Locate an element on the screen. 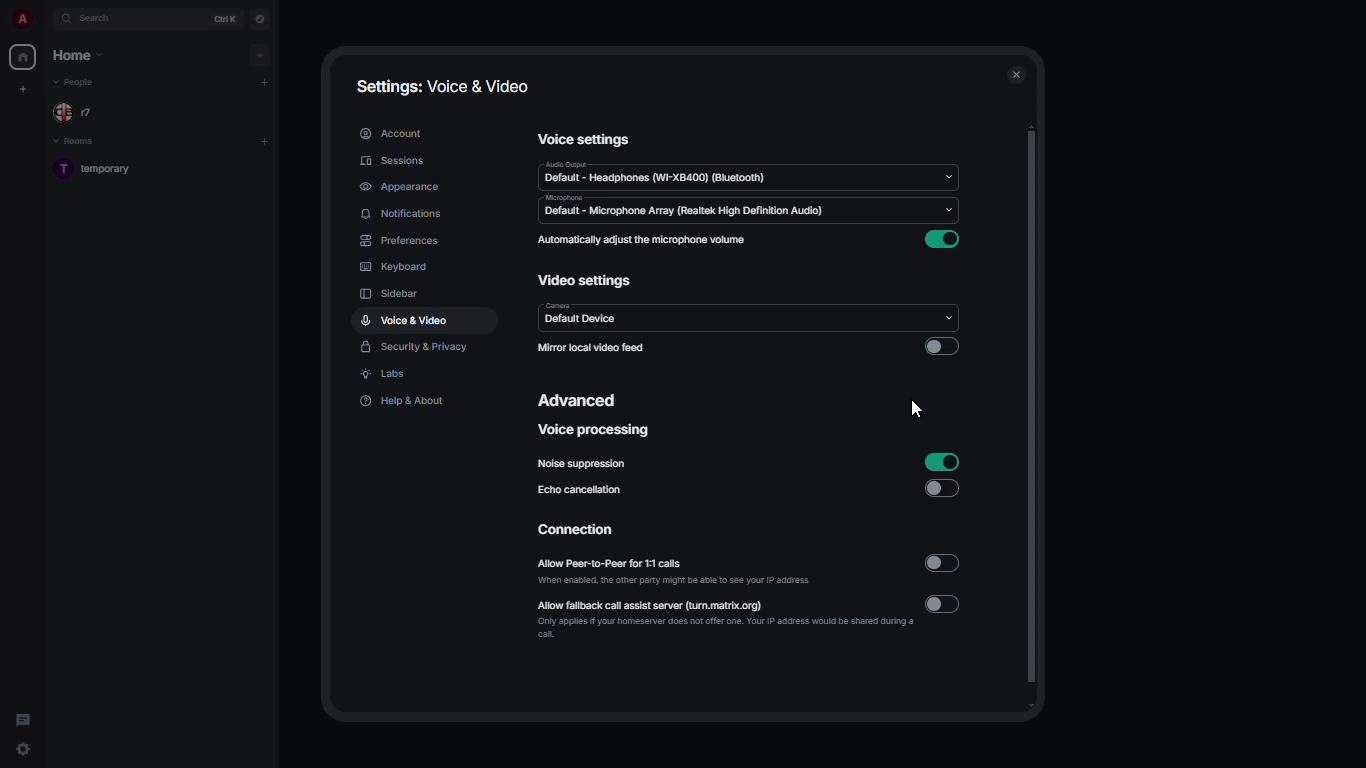  help & about is located at coordinates (402, 400).